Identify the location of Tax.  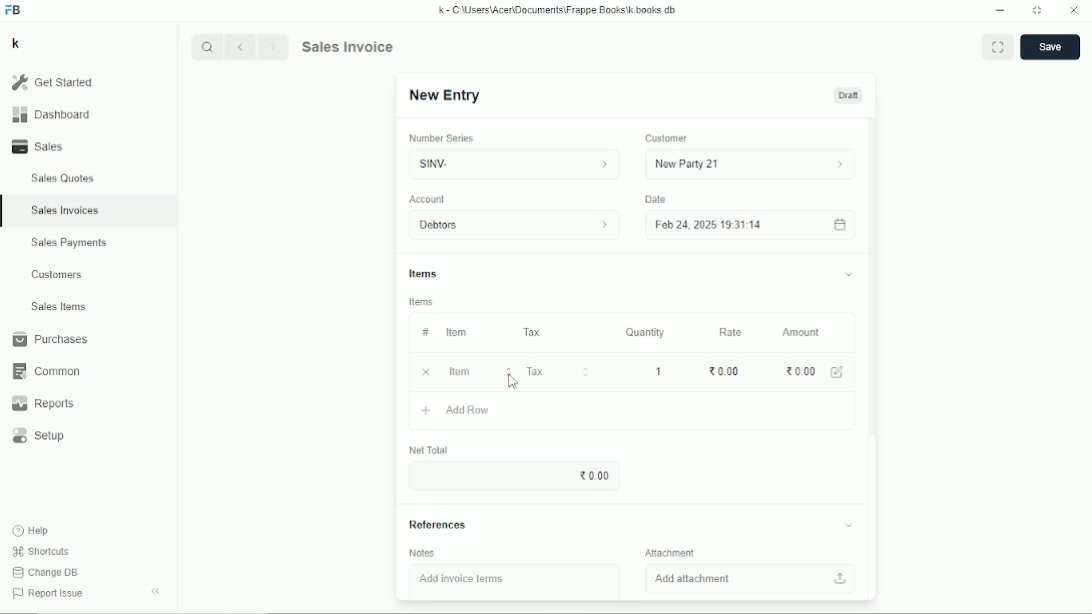
(534, 332).